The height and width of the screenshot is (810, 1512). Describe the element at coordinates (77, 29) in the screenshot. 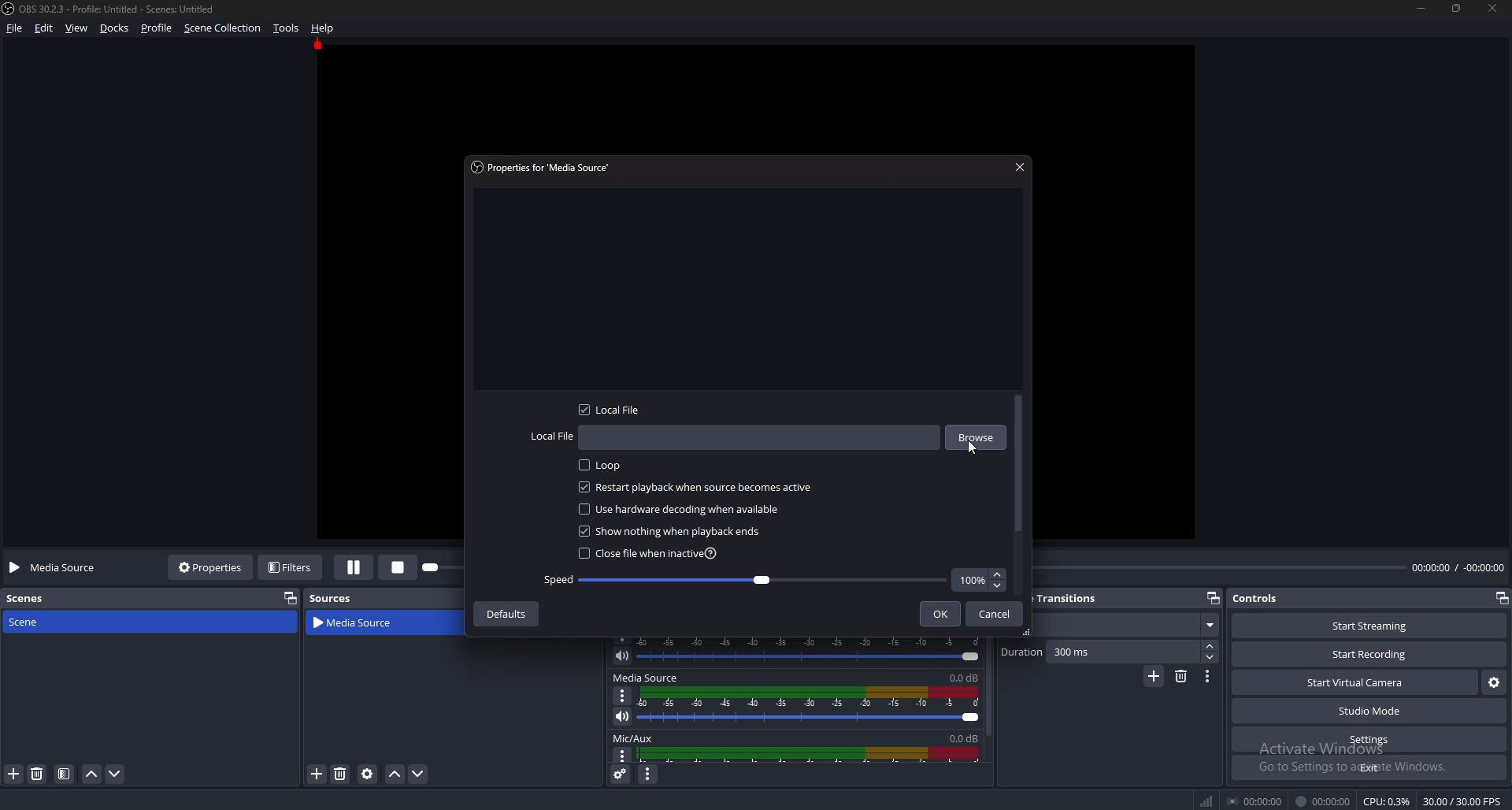

I see `view` at that location.